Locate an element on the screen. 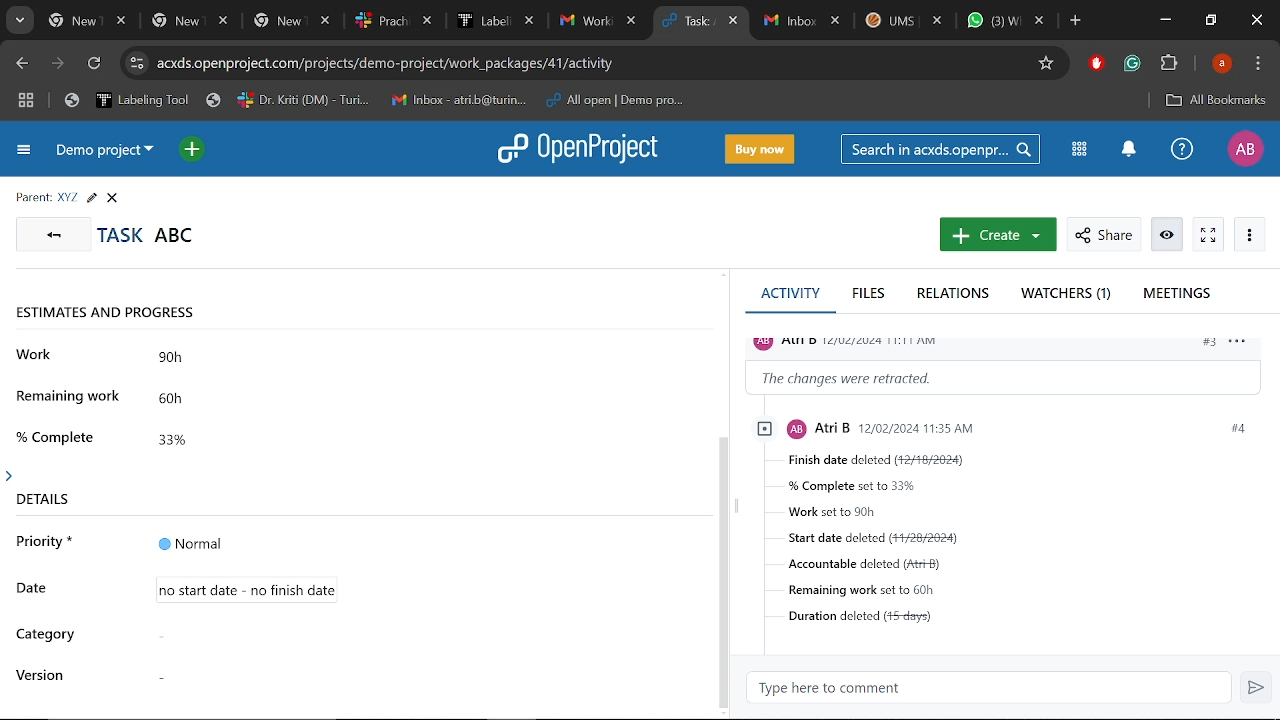 Image resolution: width=1280 pixels, height=720 pixels. Profile is located at coordinates (1243, 149).